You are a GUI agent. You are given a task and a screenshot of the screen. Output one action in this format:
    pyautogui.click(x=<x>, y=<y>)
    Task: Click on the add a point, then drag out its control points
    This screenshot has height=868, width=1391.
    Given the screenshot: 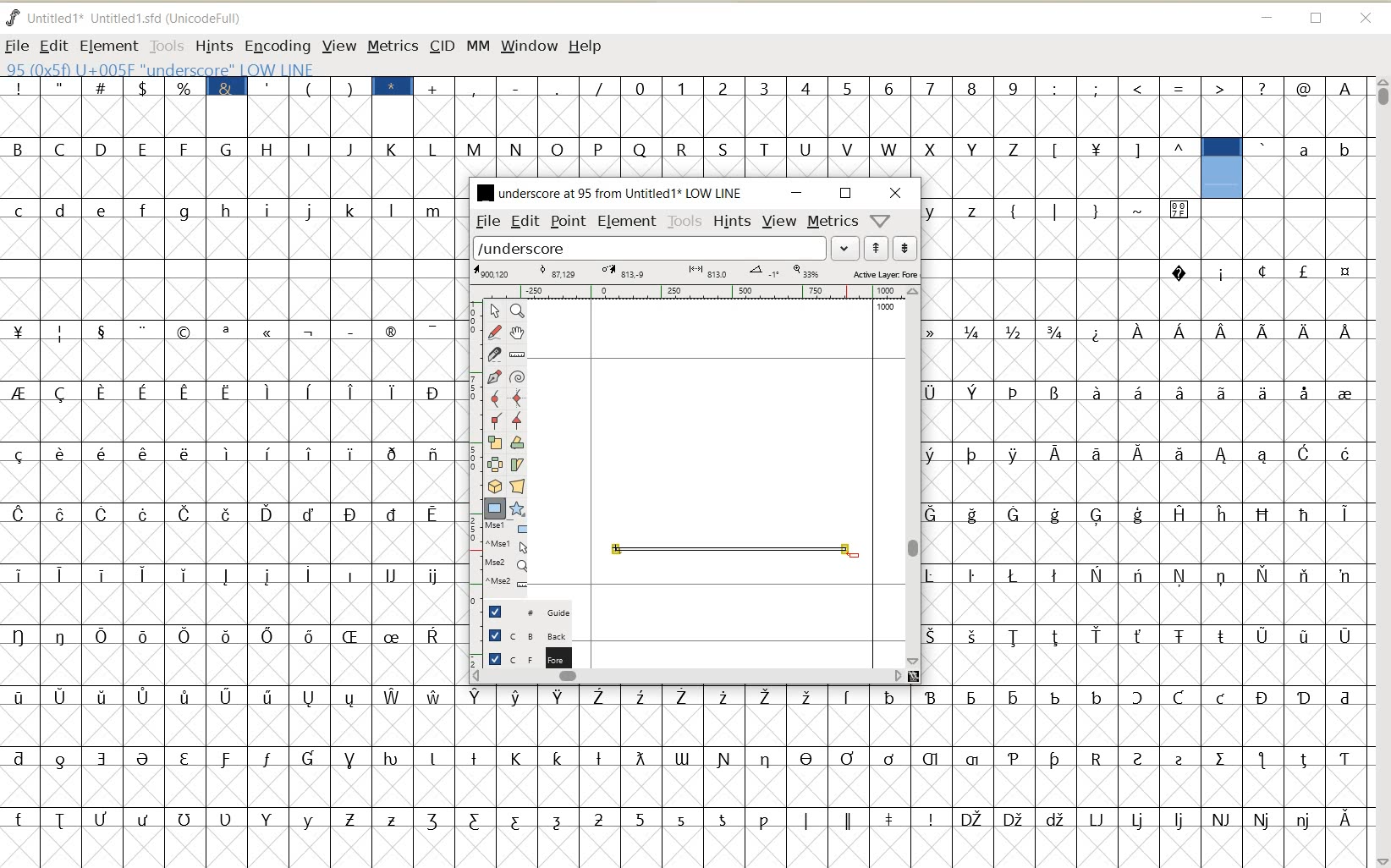 What is the action you would take?
    pyautogui.click(x=495, y=377)
    